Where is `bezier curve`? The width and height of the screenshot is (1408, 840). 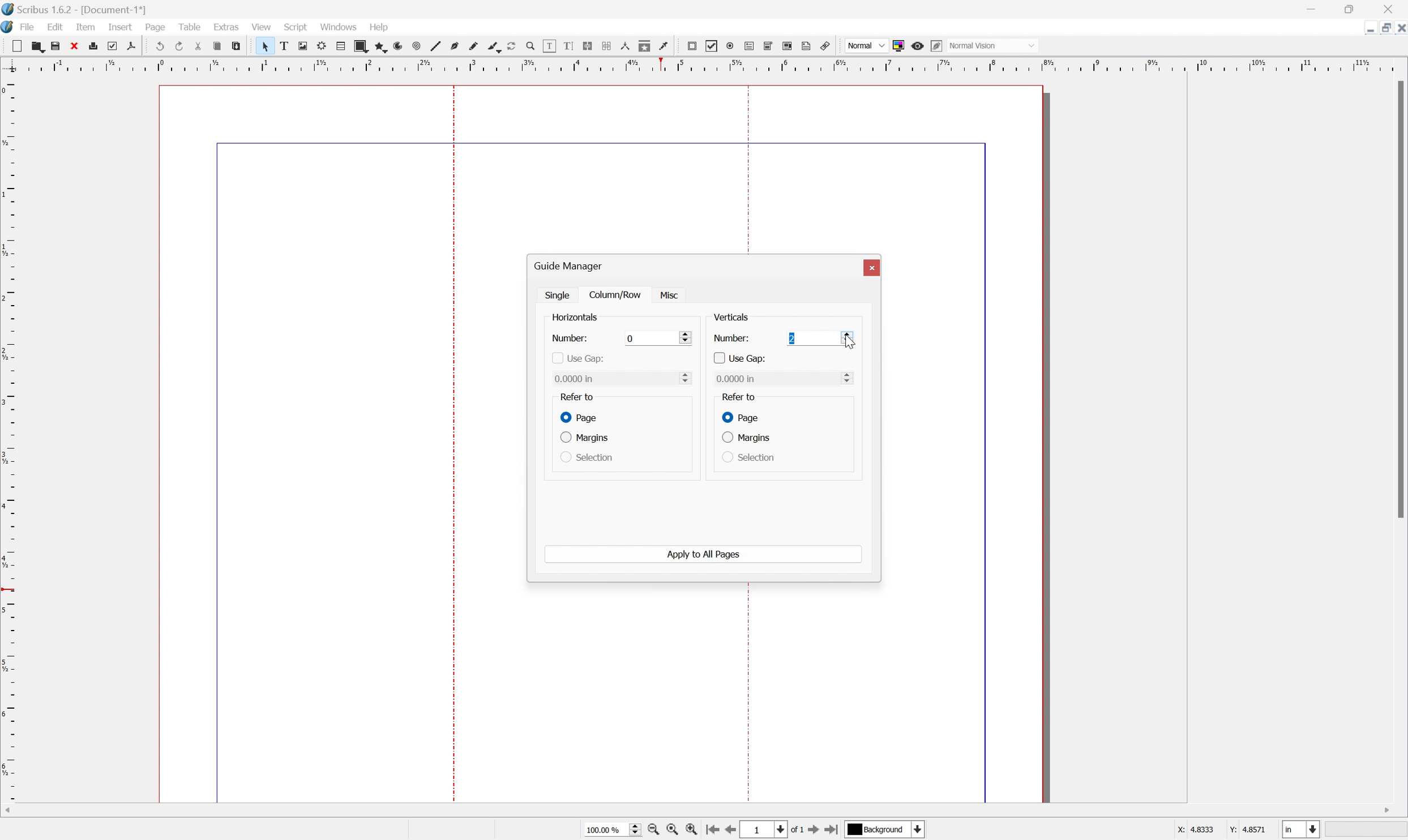
bezier curve is located at coordinates (455, 46).